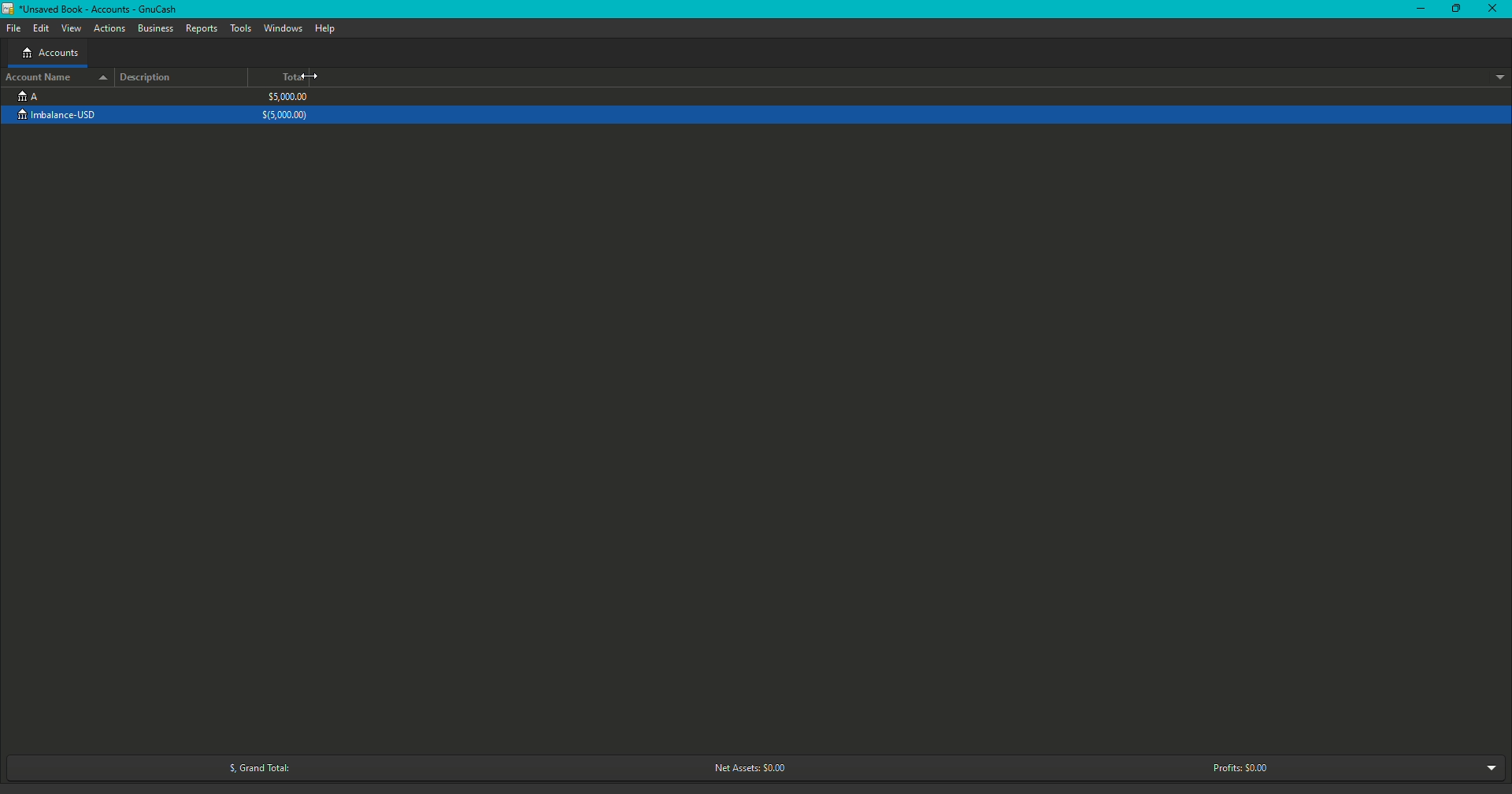 Image resolution: width=1512 pixels, height=794 pixels. What do you see at coordinates (150, 77) in the screenshot?
I see `Description` at bounding box center [150, 77].